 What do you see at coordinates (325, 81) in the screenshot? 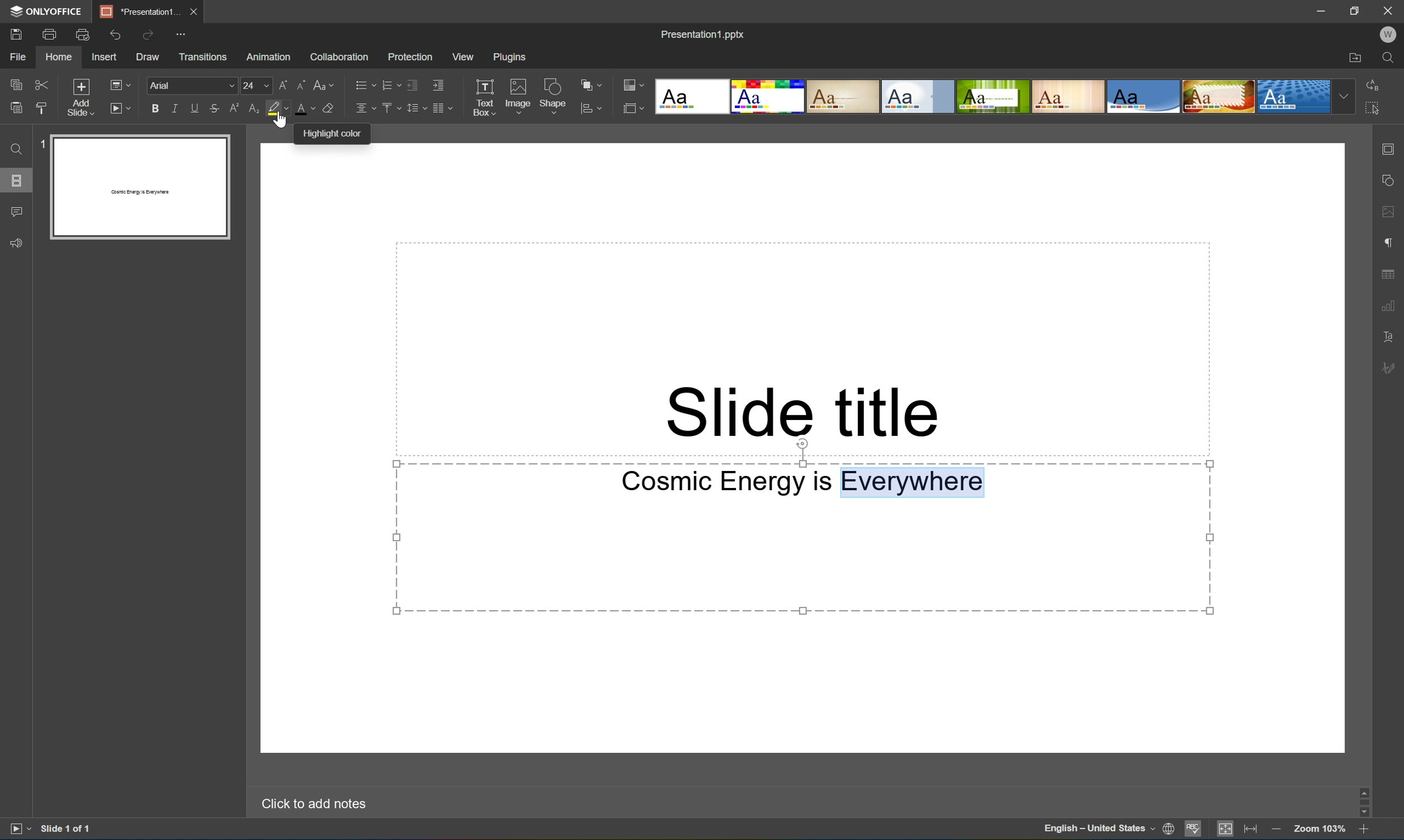
I see `Change case` at bounding box center [325, 81].